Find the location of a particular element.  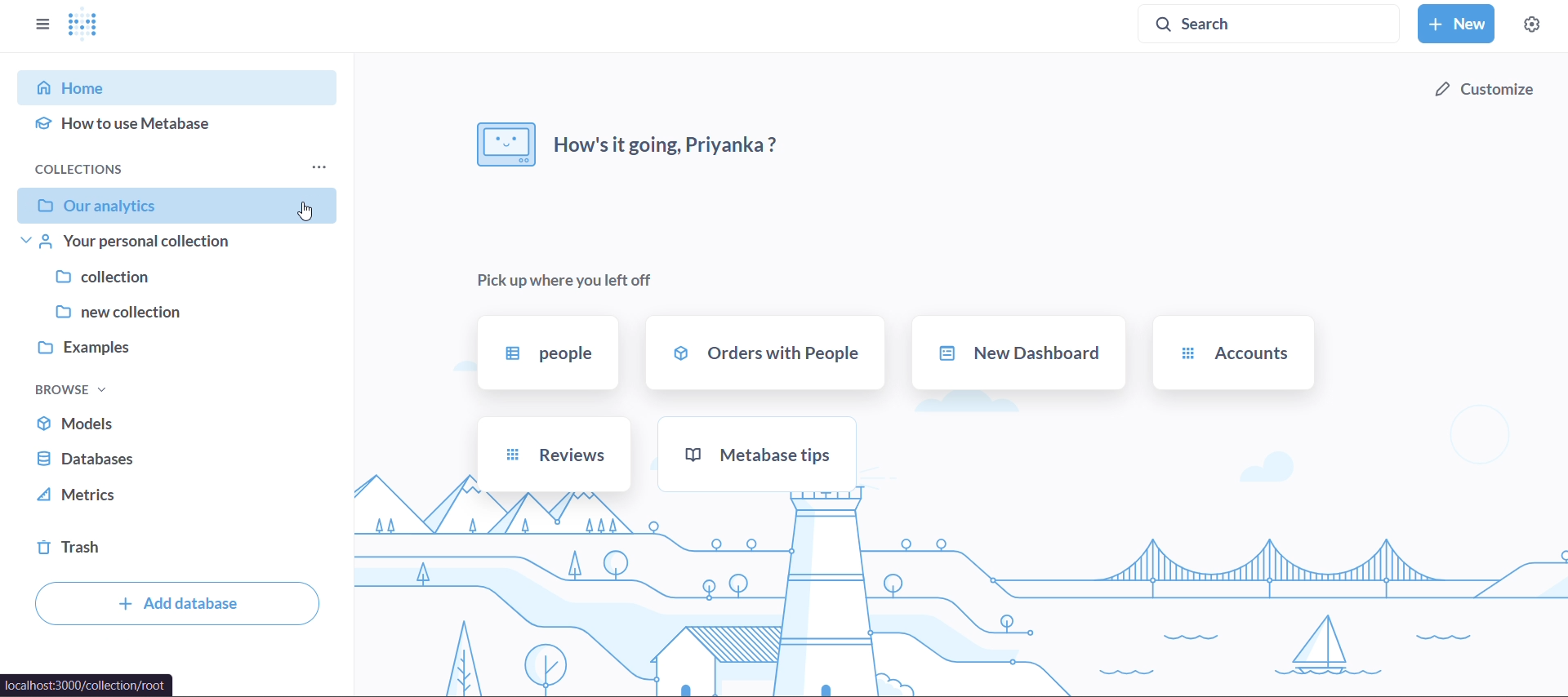

how to use metabase is located at coordinates (170, 125).